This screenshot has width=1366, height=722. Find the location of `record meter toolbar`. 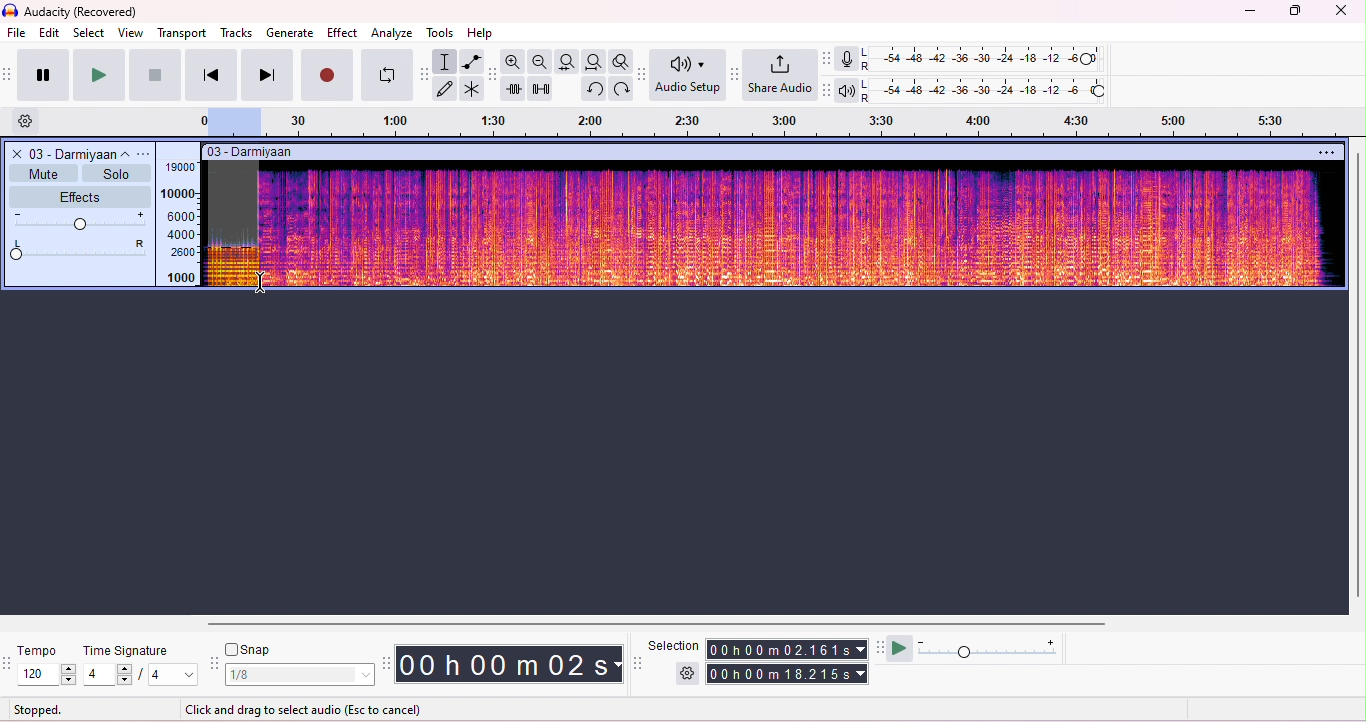

record meter toolbar is located at coordinates (828, 58).